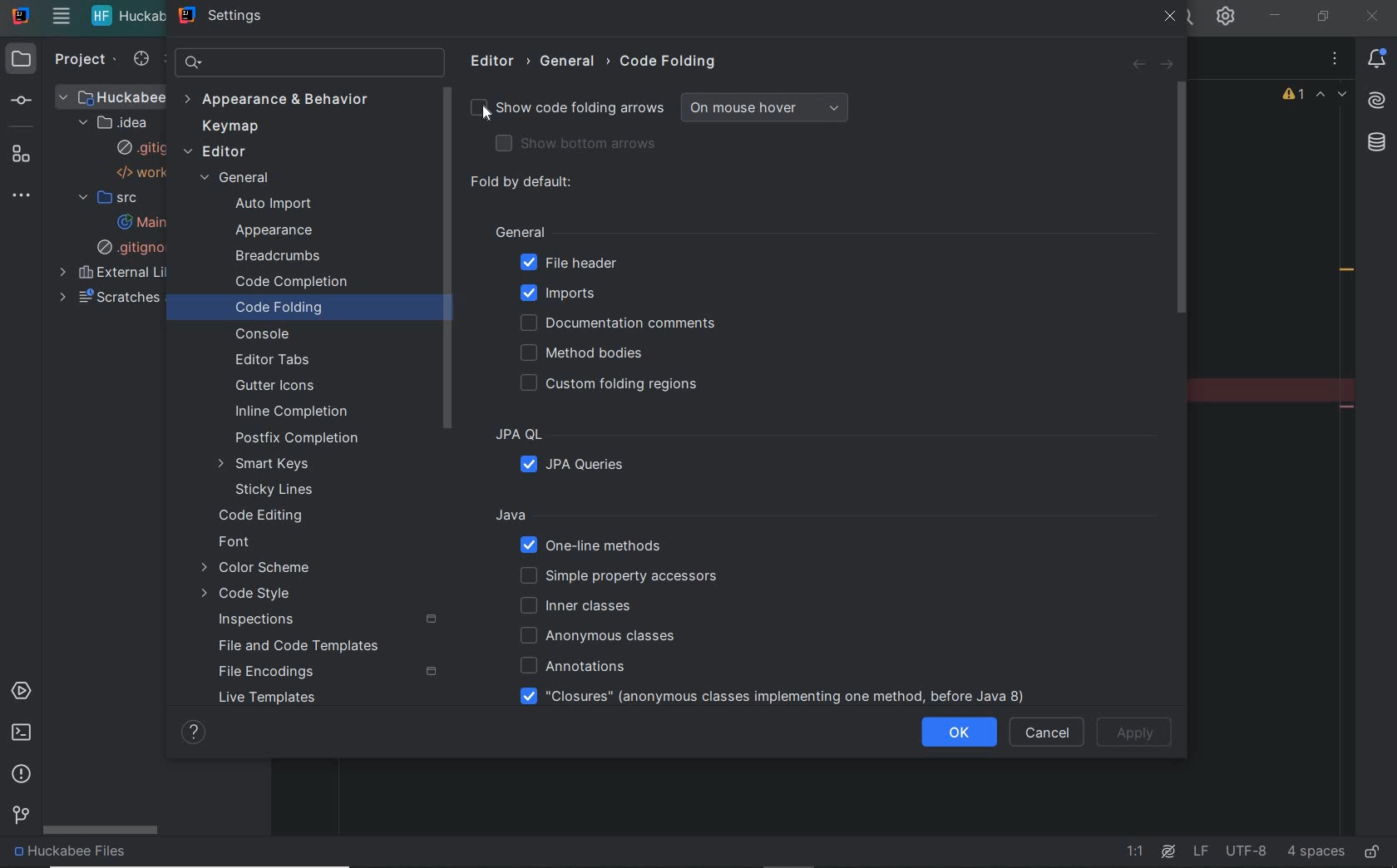 The height and width of the screenshot is (868, 1397). Describe the element at coordinates (128, 17) in the screenshot. I see `project file name` at that location.